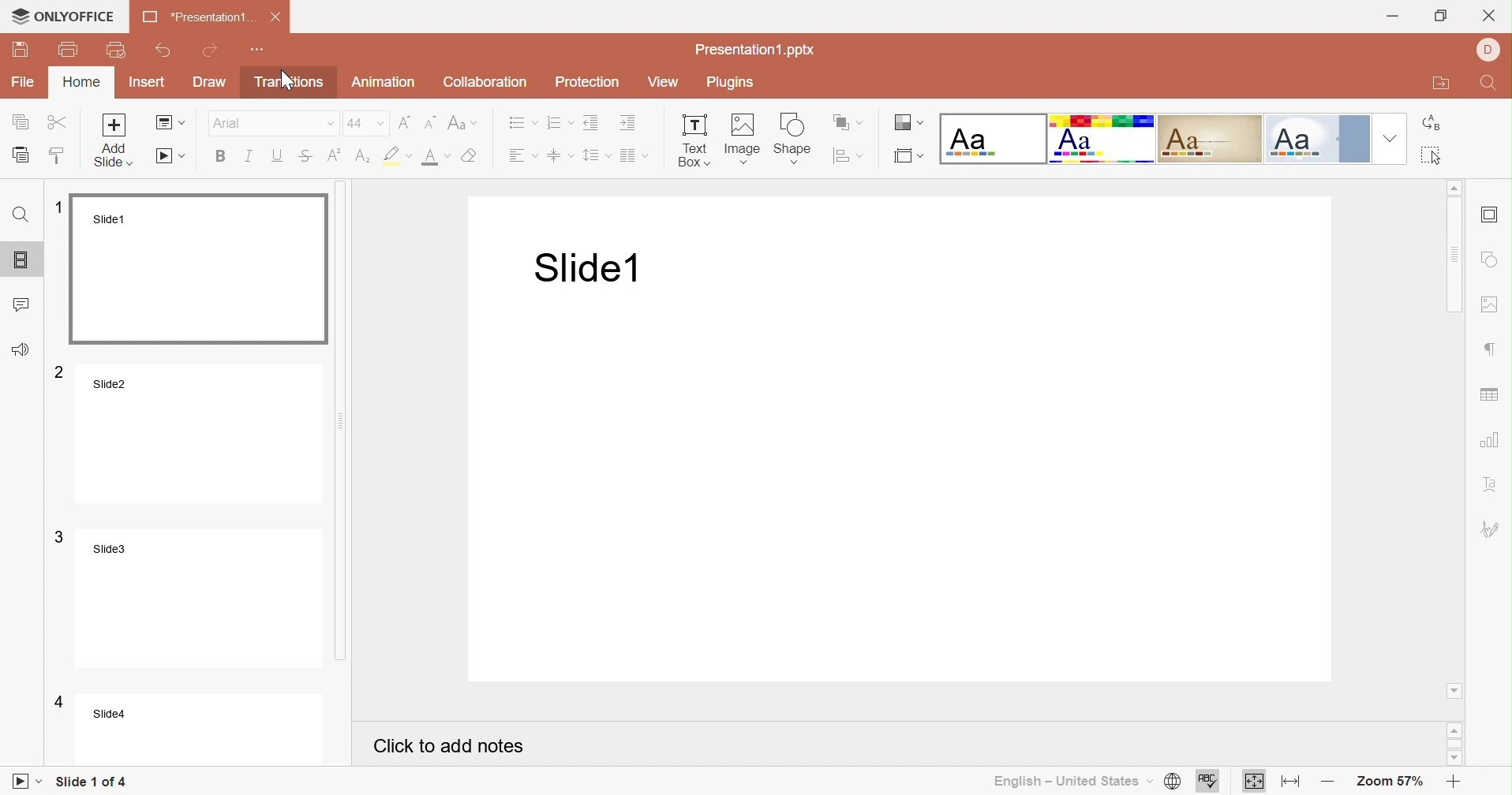  What do you see at coordinates (1488, 305) in the screenshot?
I see `Insert image` at bounding box center [1488, 305].